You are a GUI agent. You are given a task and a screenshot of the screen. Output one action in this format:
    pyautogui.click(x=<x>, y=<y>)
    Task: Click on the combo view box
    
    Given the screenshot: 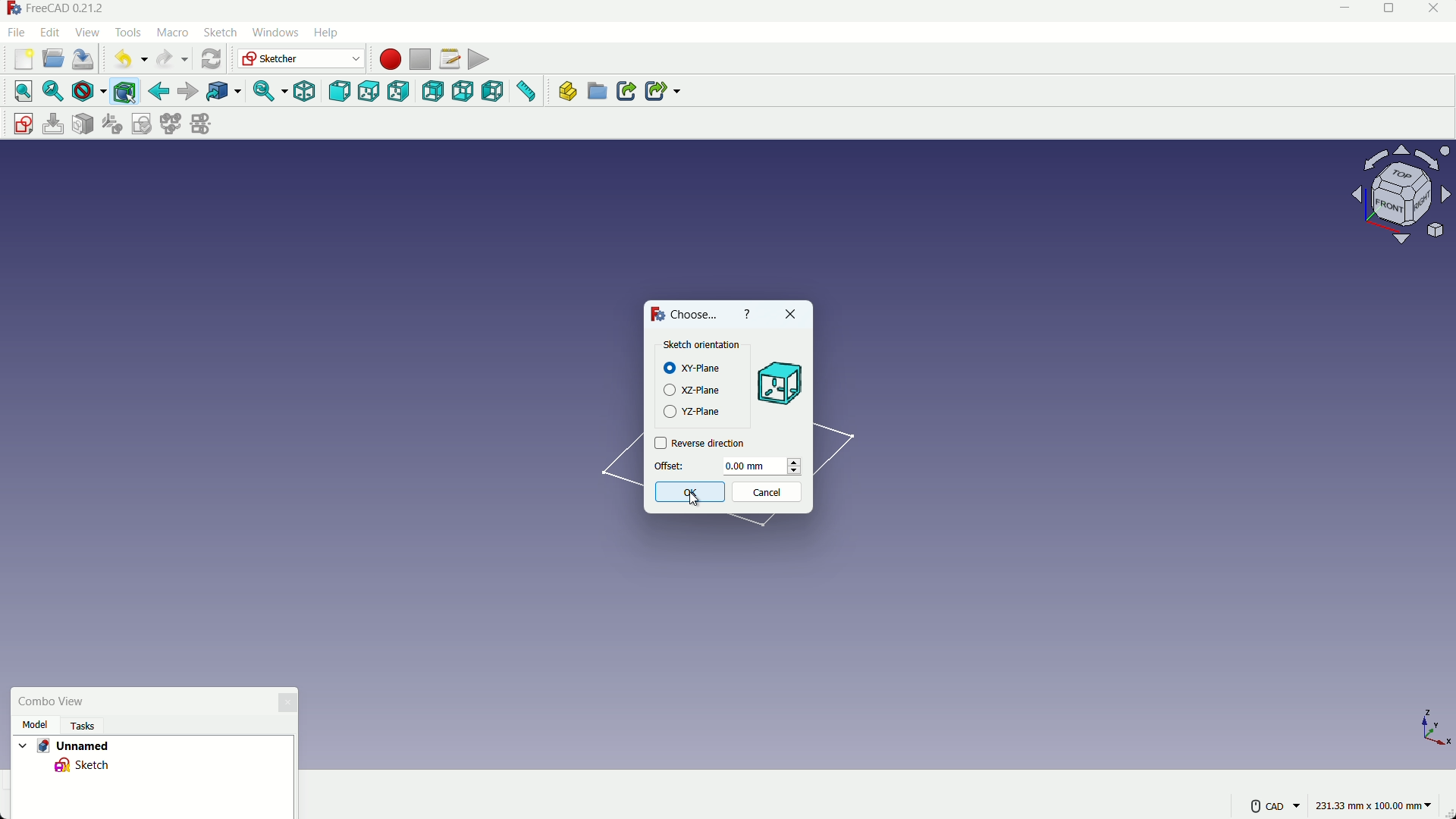 What is the action you would take?
    pyautogui.click(x=139, y=701)
    